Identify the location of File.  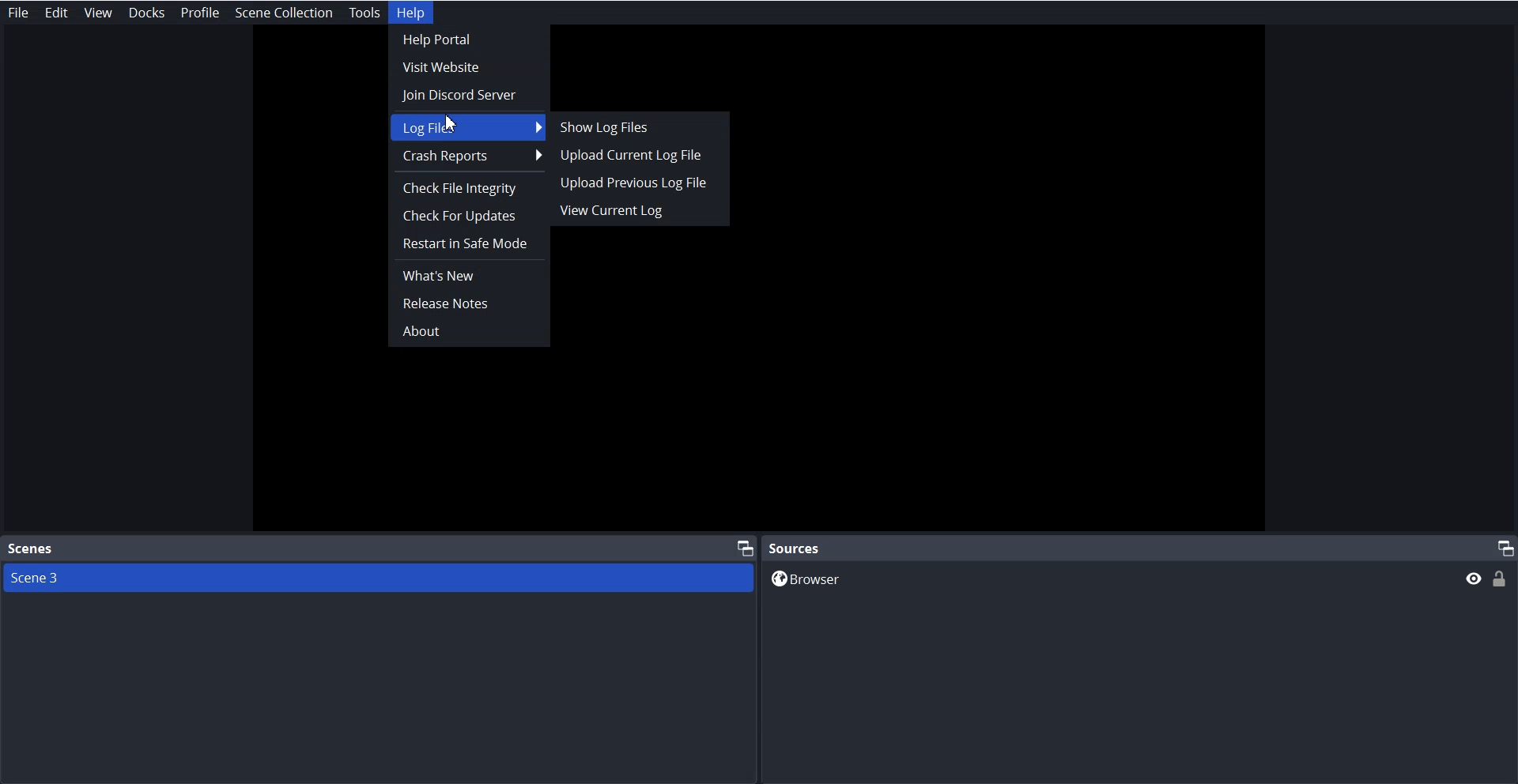
(17, 12).